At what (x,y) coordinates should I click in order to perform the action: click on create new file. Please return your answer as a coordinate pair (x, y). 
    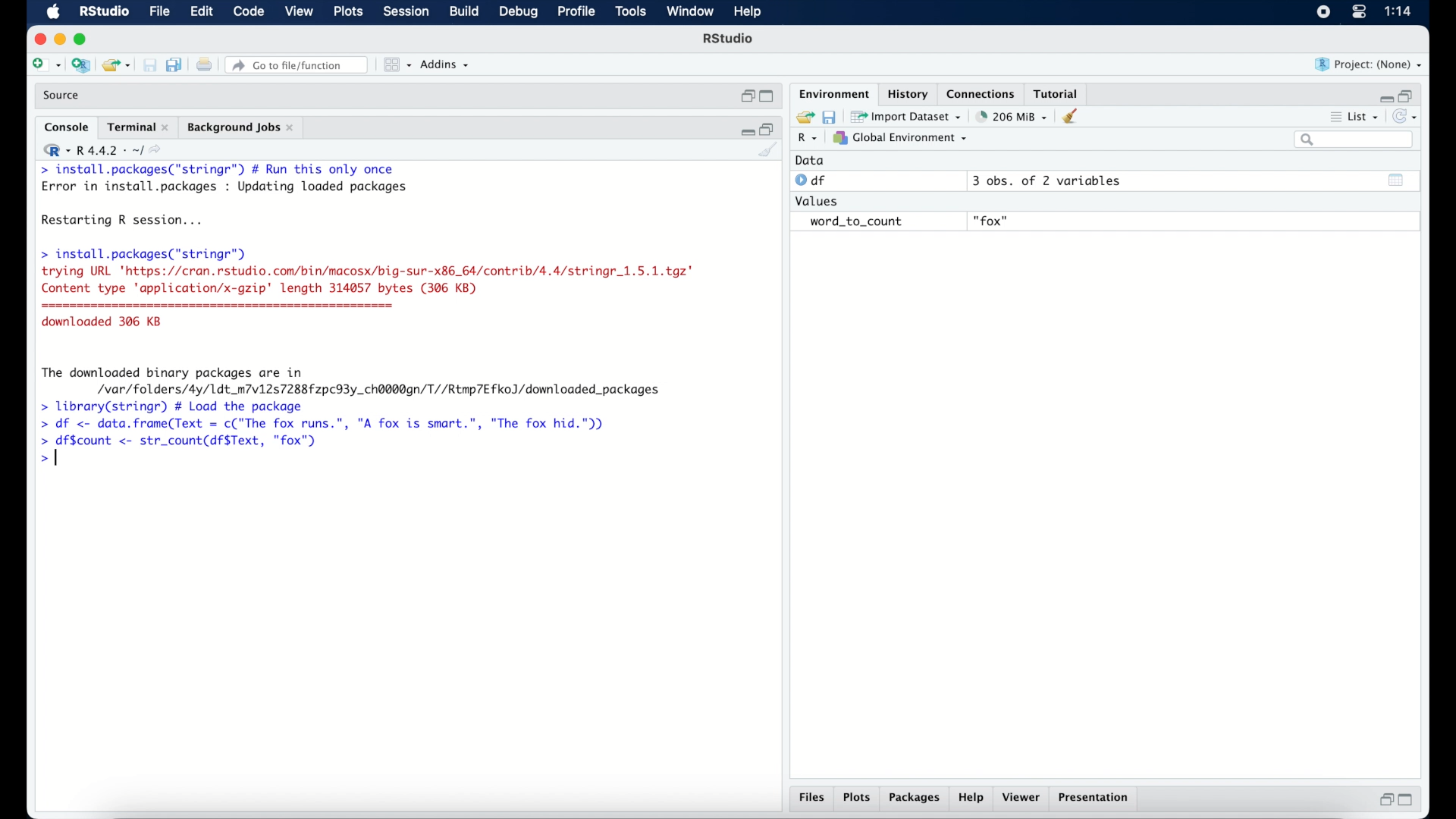
    Looking at the image, I should click on (45, 66).